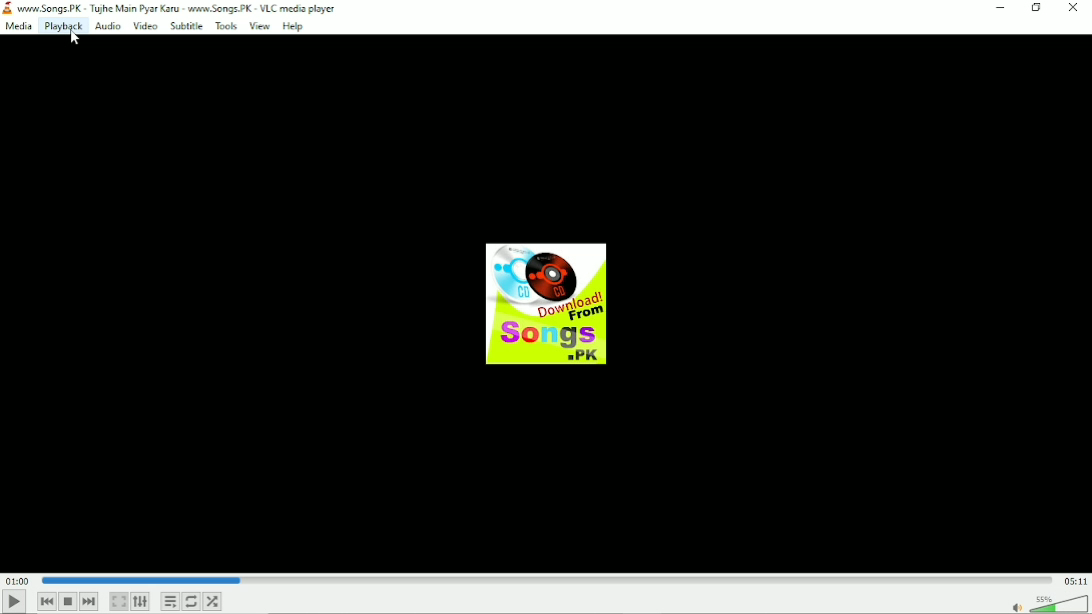  I want to click on Elapsed time, so click(17, 580).